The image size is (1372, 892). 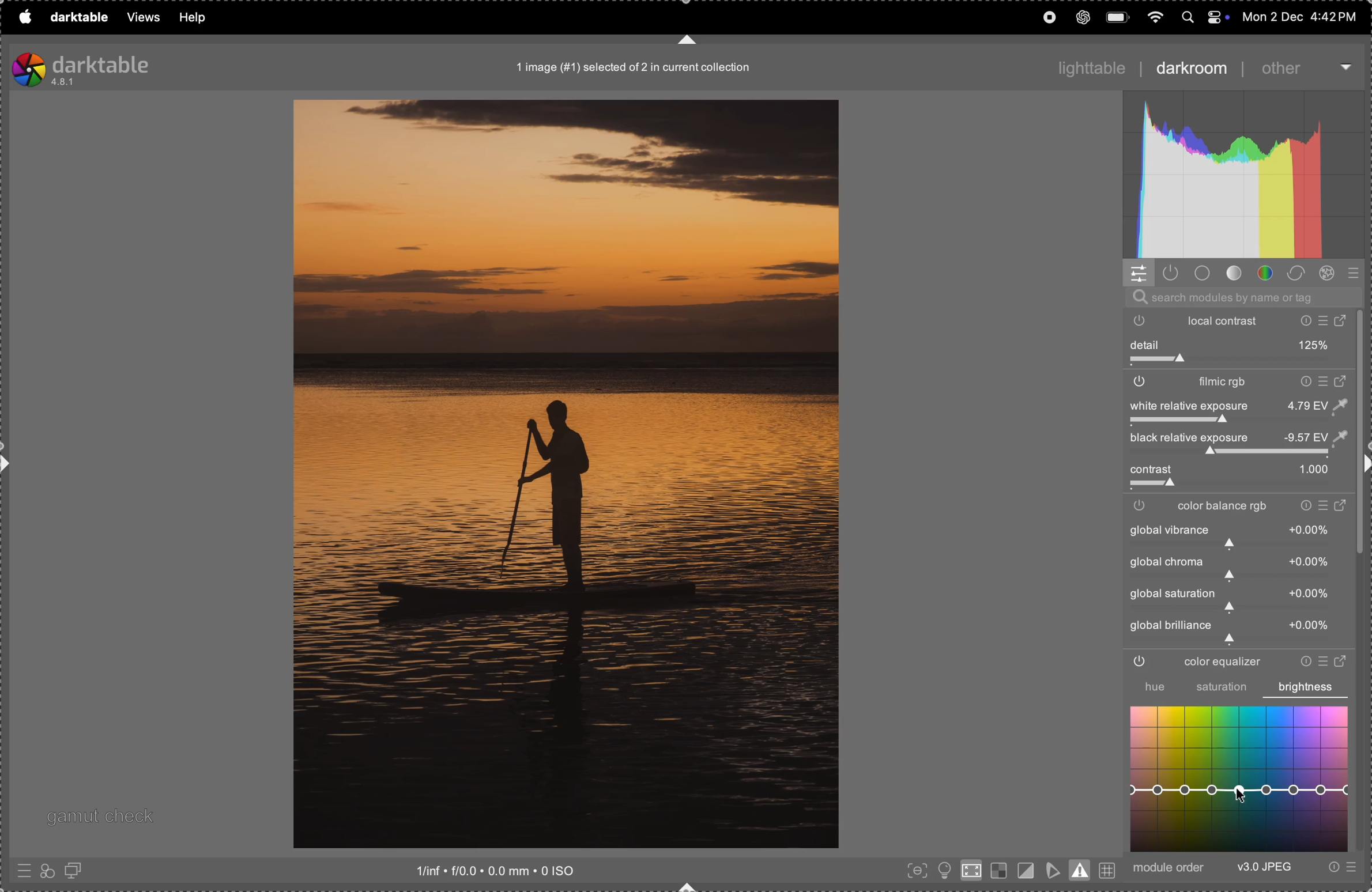 I want to click on filmic rgb, so click(x=1238, y=383).